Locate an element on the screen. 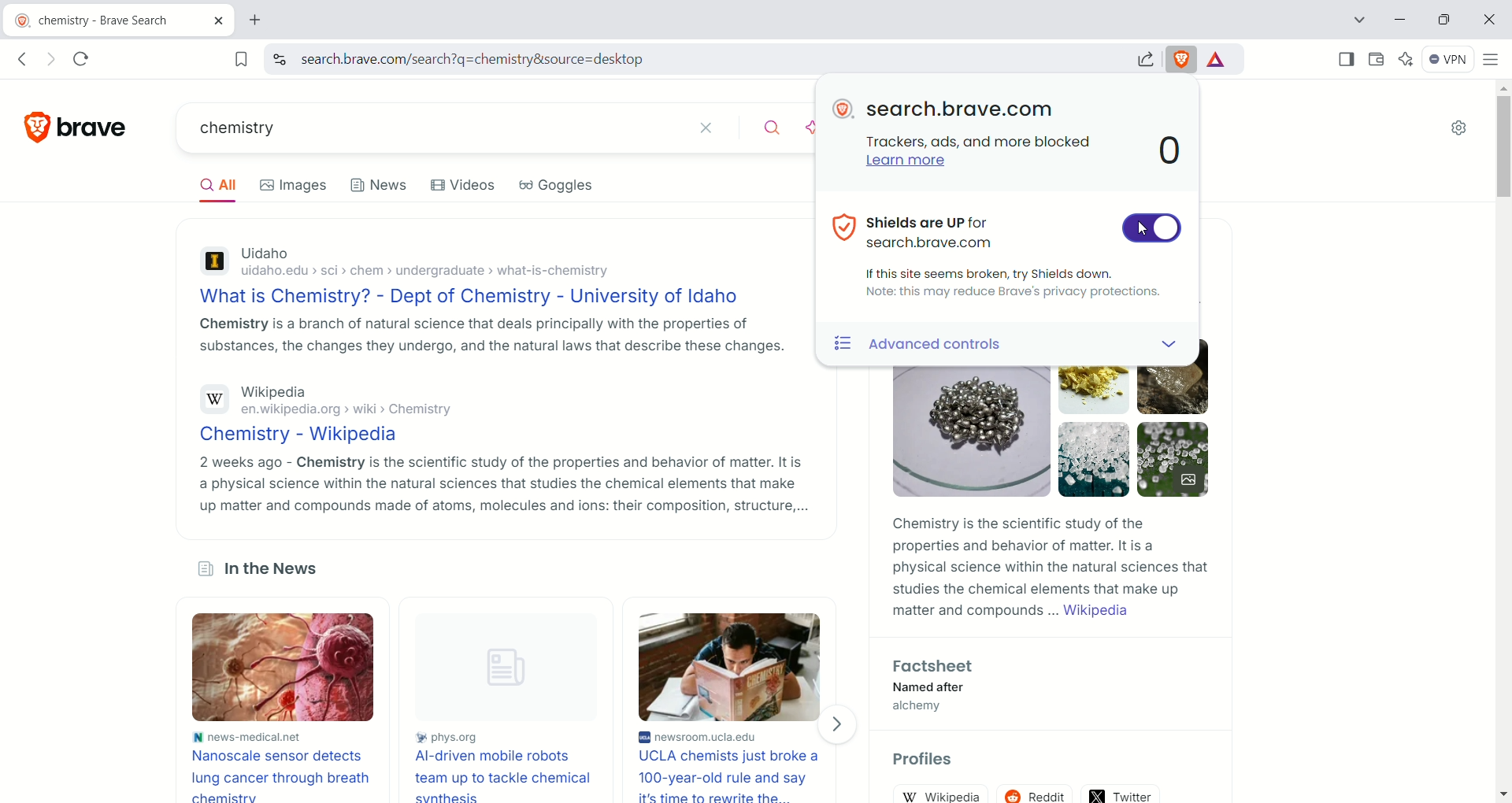 This screenshot has height=803, width=1512. In the news is located at coordinates (266, 569).